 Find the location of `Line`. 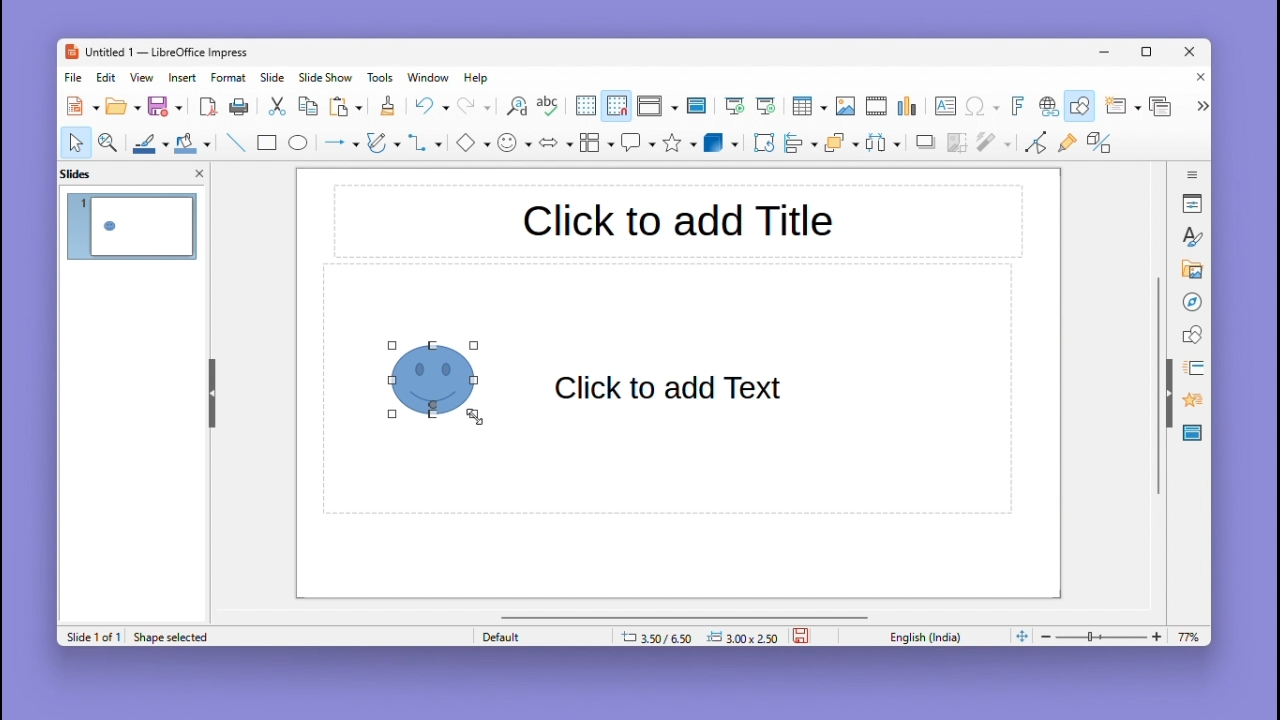

Line is located at coordinates (234, 142).